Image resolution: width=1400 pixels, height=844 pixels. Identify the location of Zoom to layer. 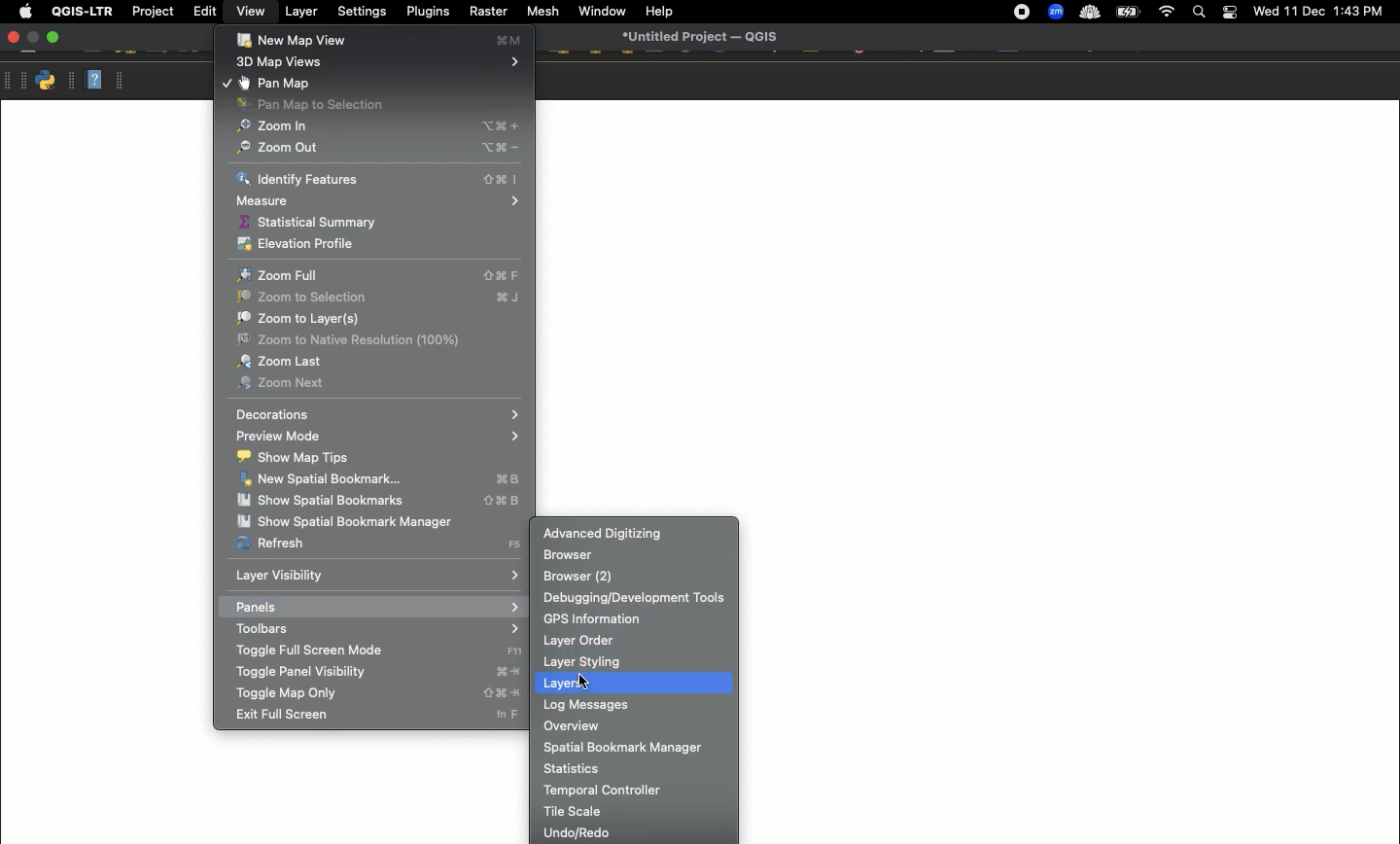
(378, 318).